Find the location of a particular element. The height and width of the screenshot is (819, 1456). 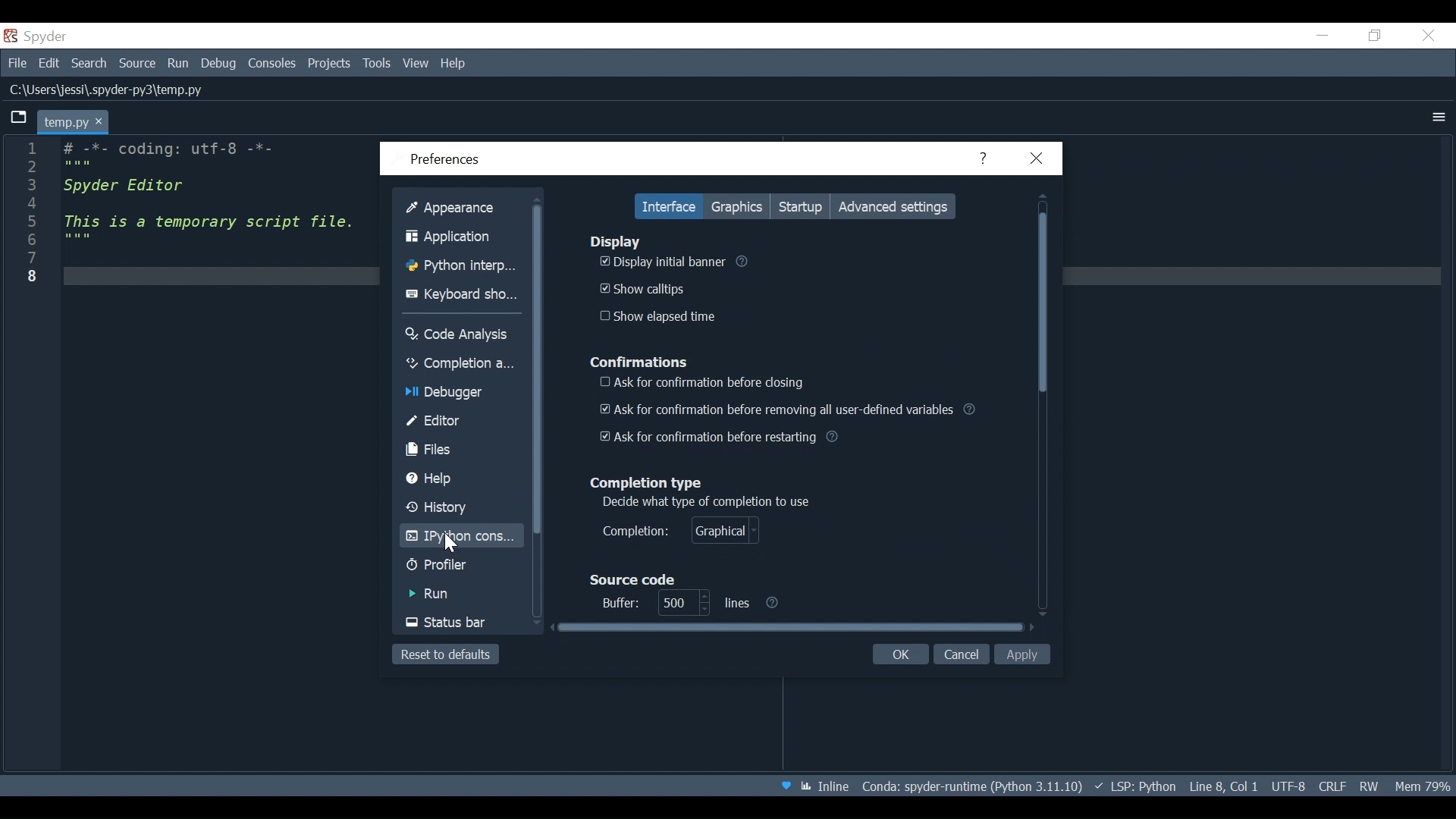

Vertical Scroll bar is located at coordinates (1047, 403).